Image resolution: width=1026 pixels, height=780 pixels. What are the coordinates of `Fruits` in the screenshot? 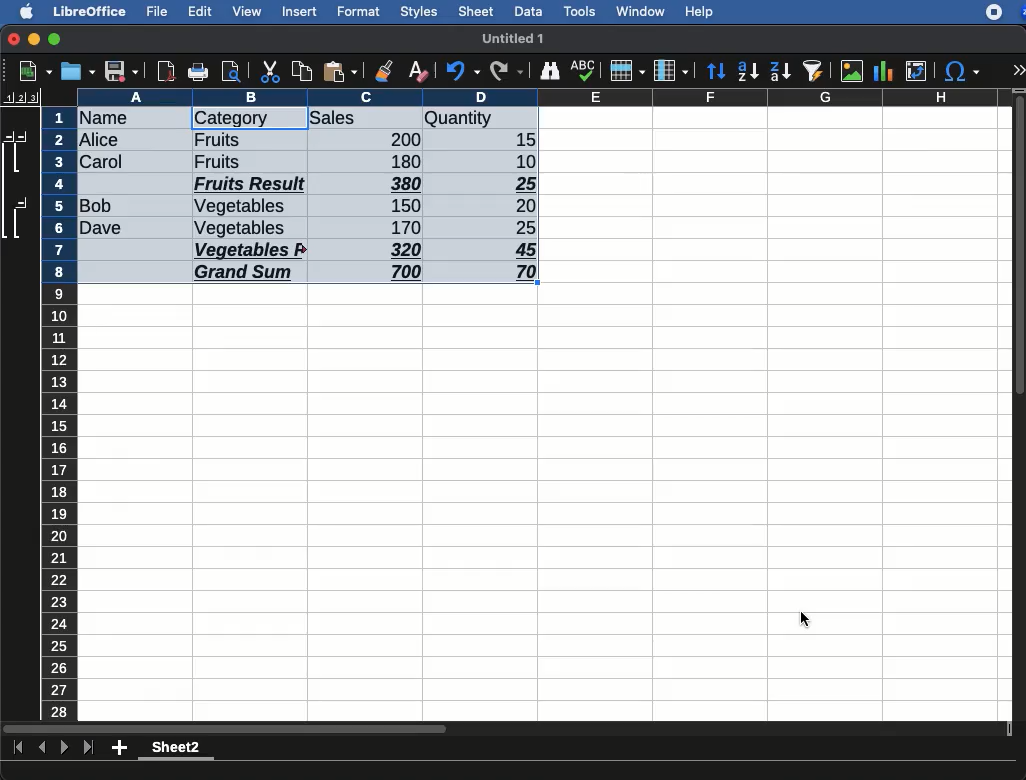 It's located at (220, 139).